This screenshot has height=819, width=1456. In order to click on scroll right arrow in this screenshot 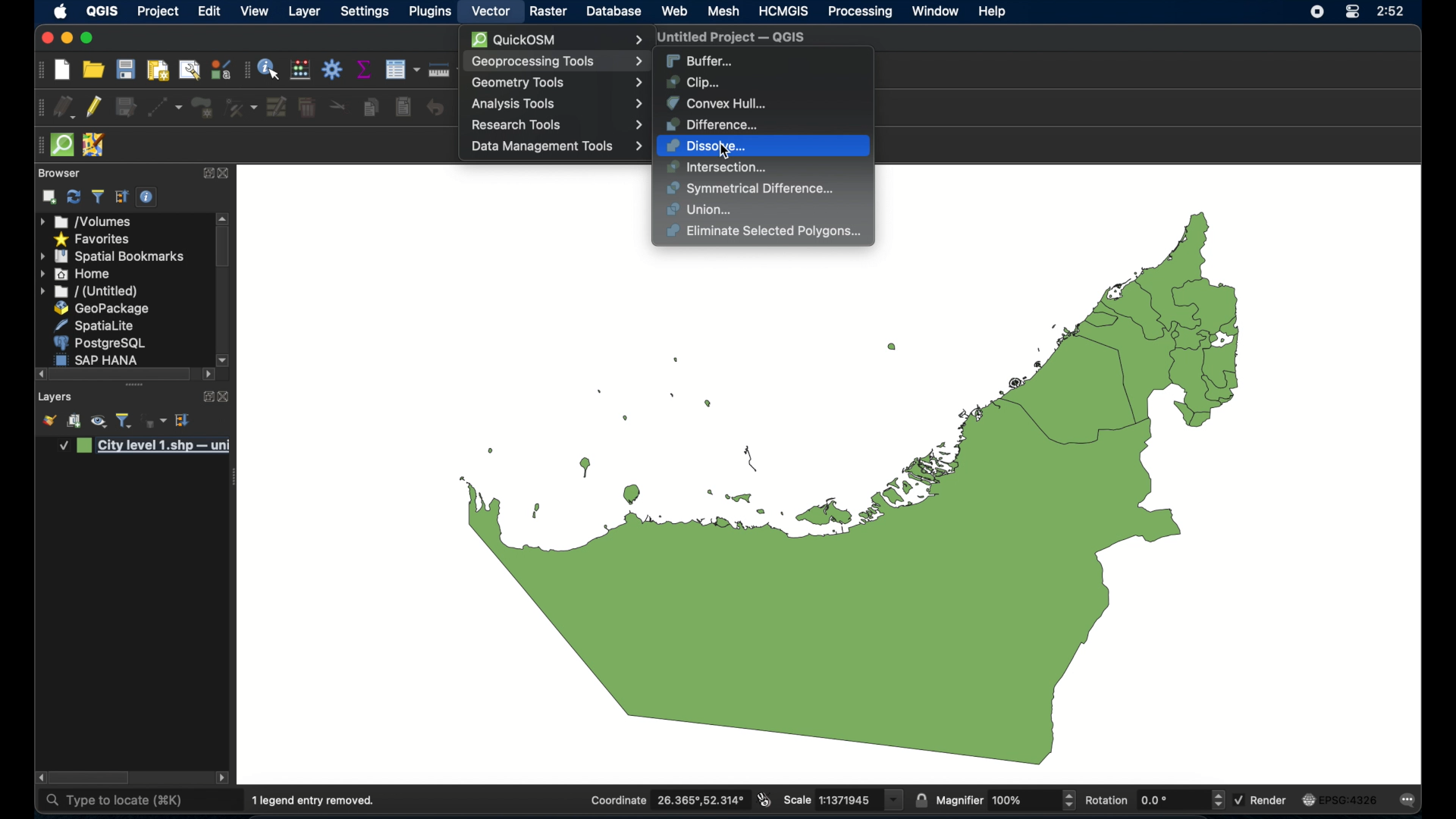, I will do `click(40, 374)`.